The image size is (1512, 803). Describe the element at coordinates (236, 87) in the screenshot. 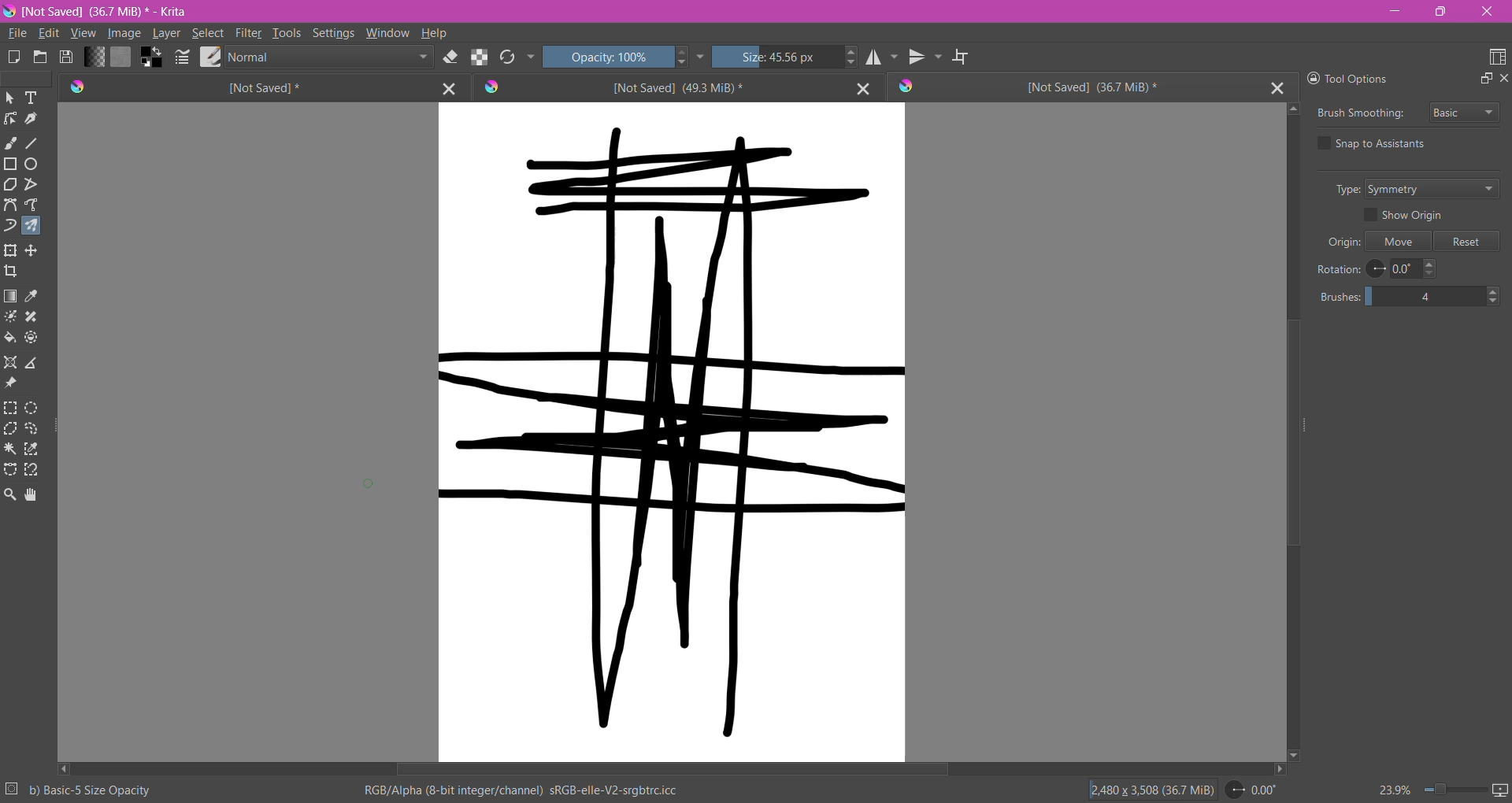

I see `Unsaved Document Tab1` at that location.